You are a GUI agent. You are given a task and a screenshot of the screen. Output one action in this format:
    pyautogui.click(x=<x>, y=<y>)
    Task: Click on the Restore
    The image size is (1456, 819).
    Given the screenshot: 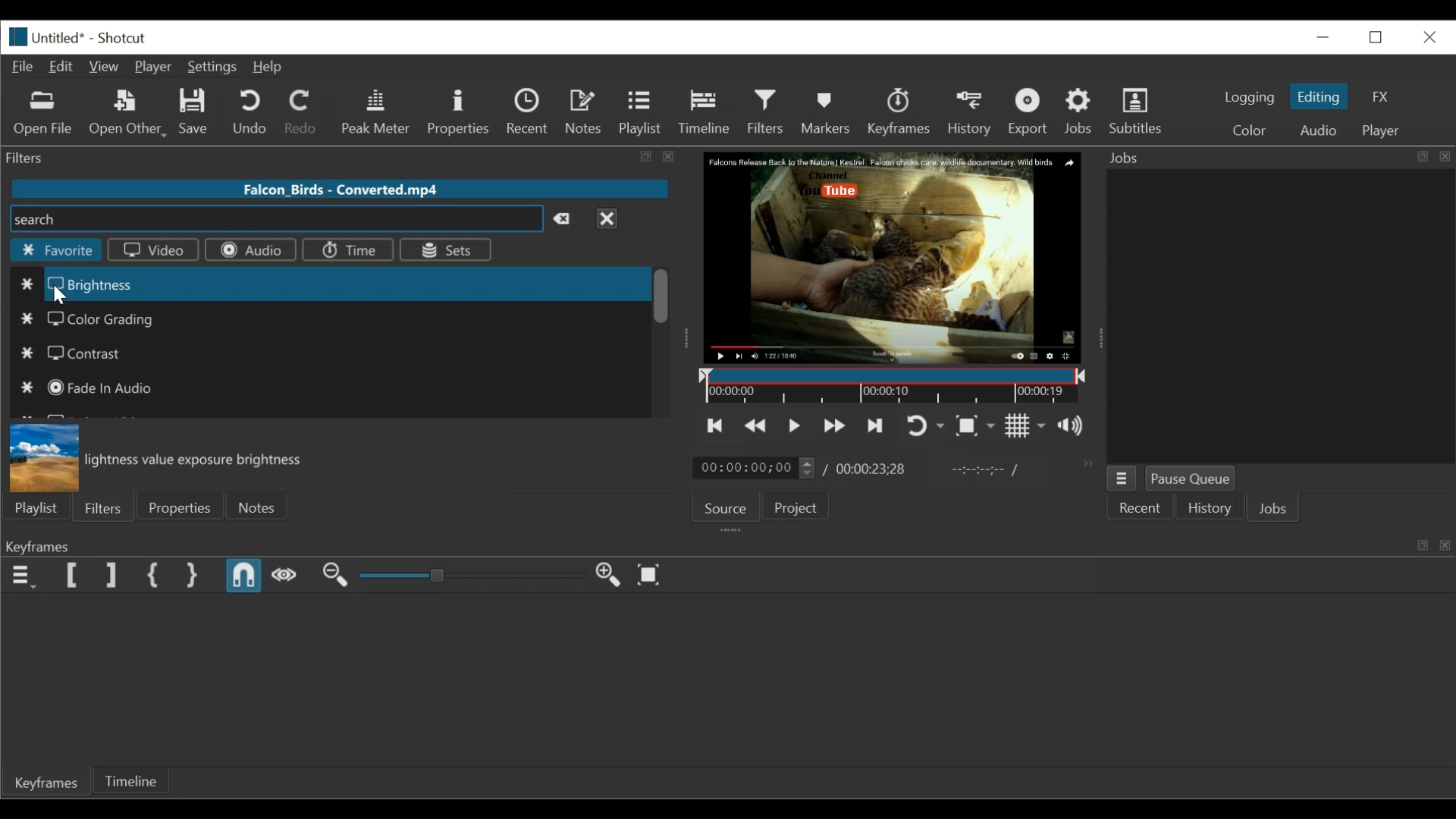 What is the action you would take?
    pyautogui.click(x=1325, y=35)
    